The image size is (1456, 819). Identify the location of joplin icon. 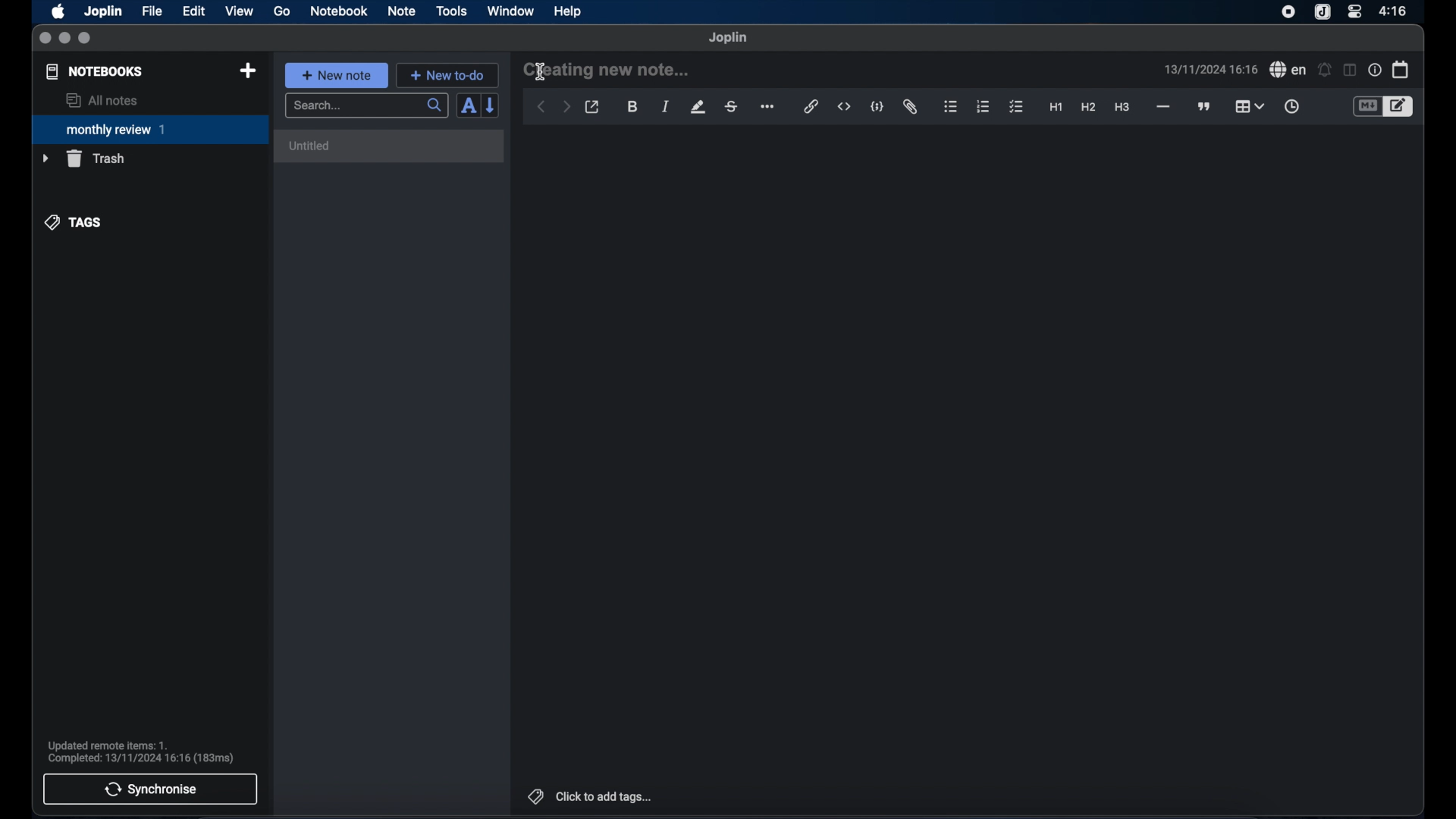
(1321, 13).